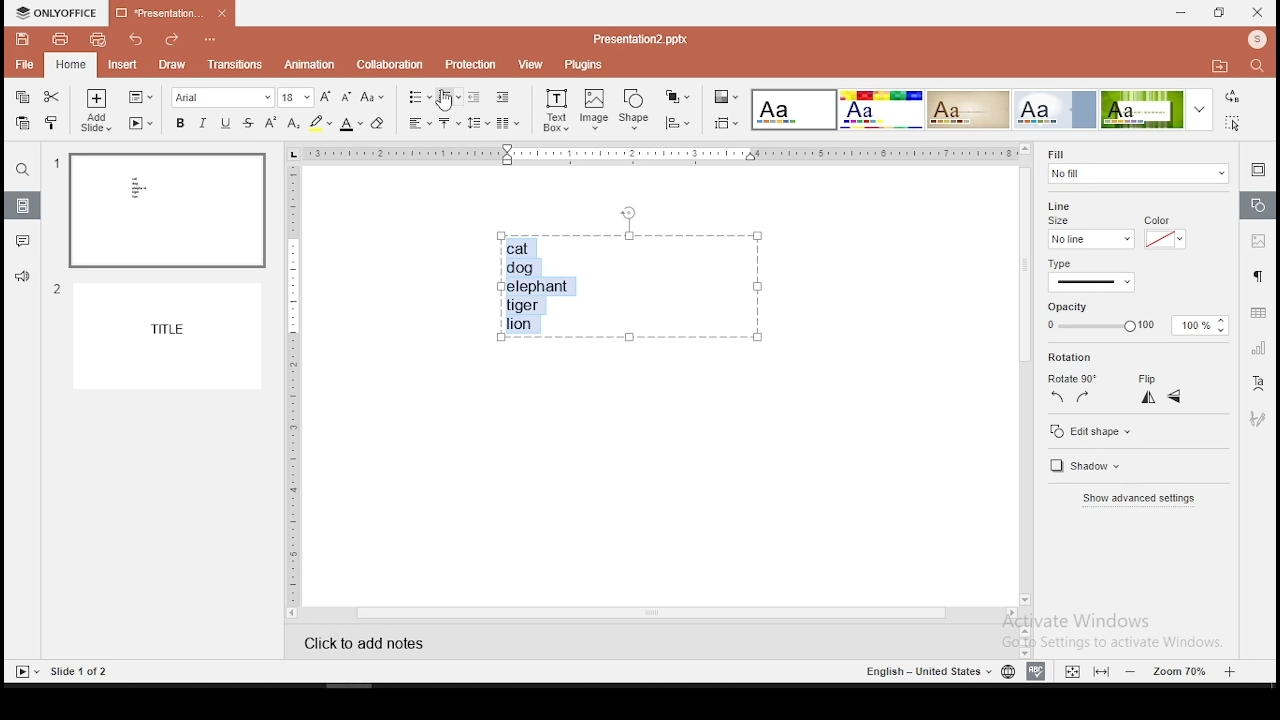  Describe the element at coordinates (1088, 233) in the screenshot. I see `line size` at that location.